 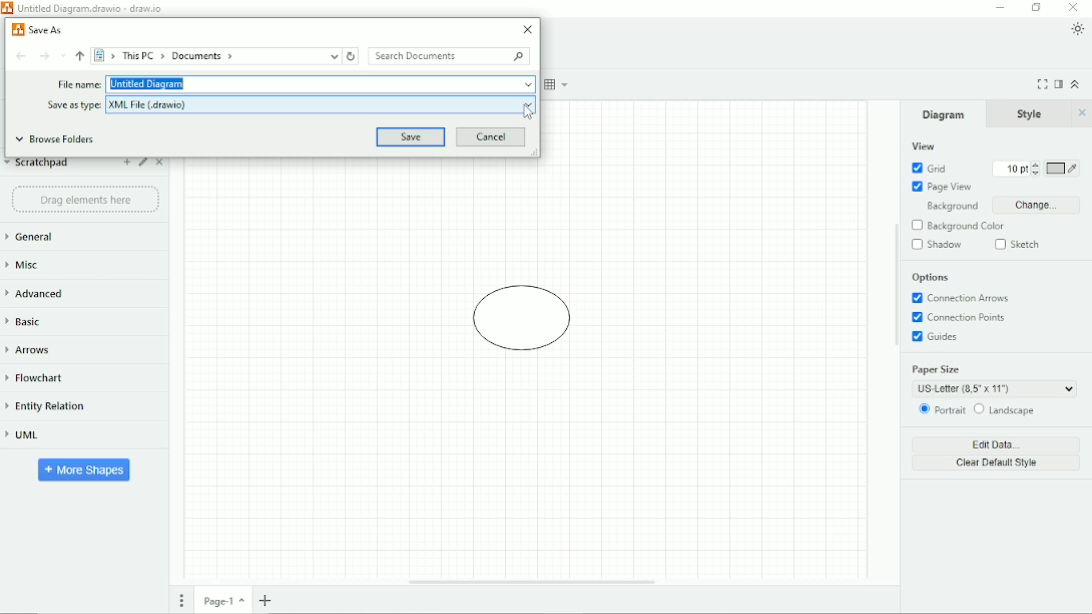 I want to click on Shadow, so click(x=938, y=245).